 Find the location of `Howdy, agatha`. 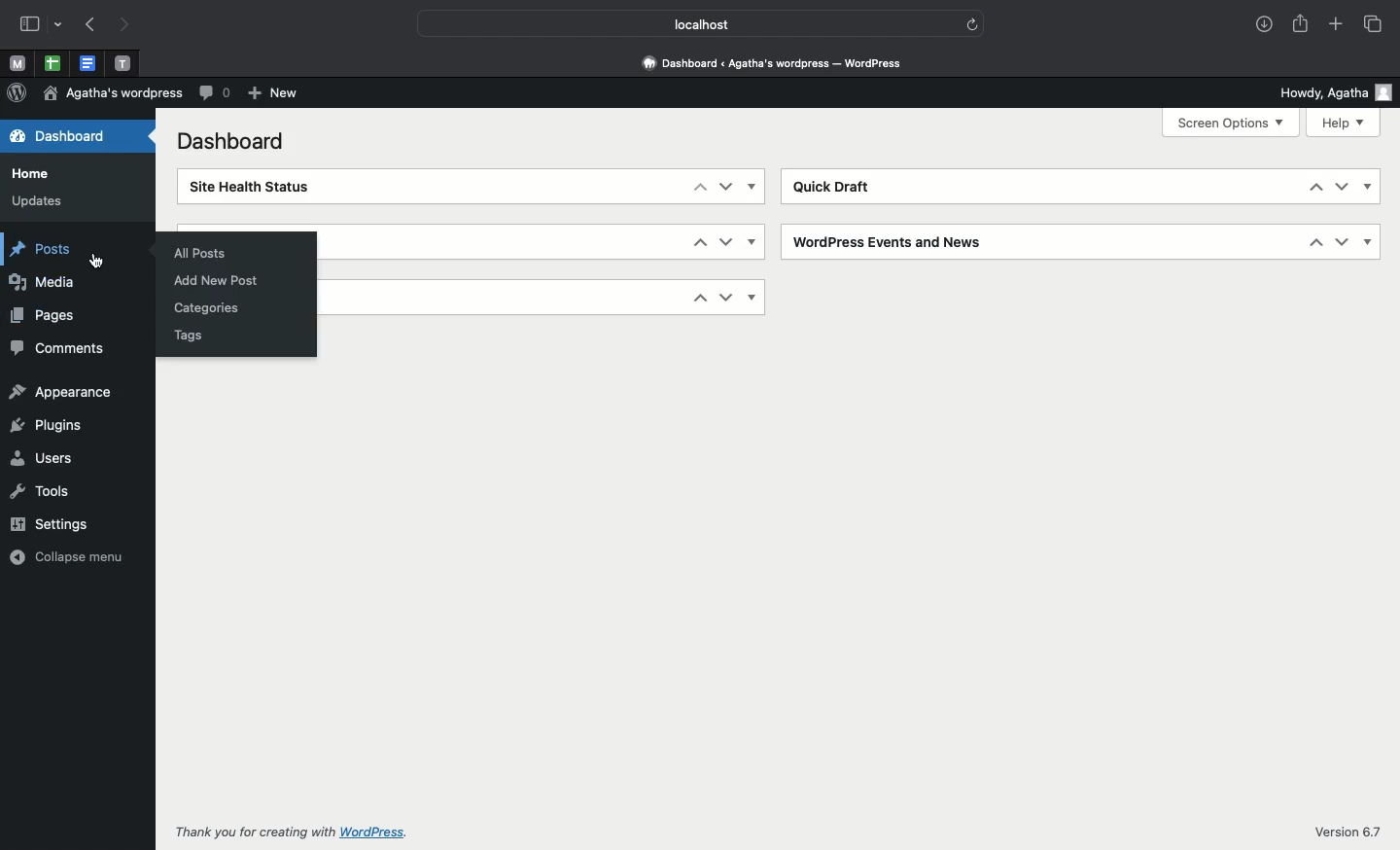

Howdy, agatha is located at coordinates (1333, 89).